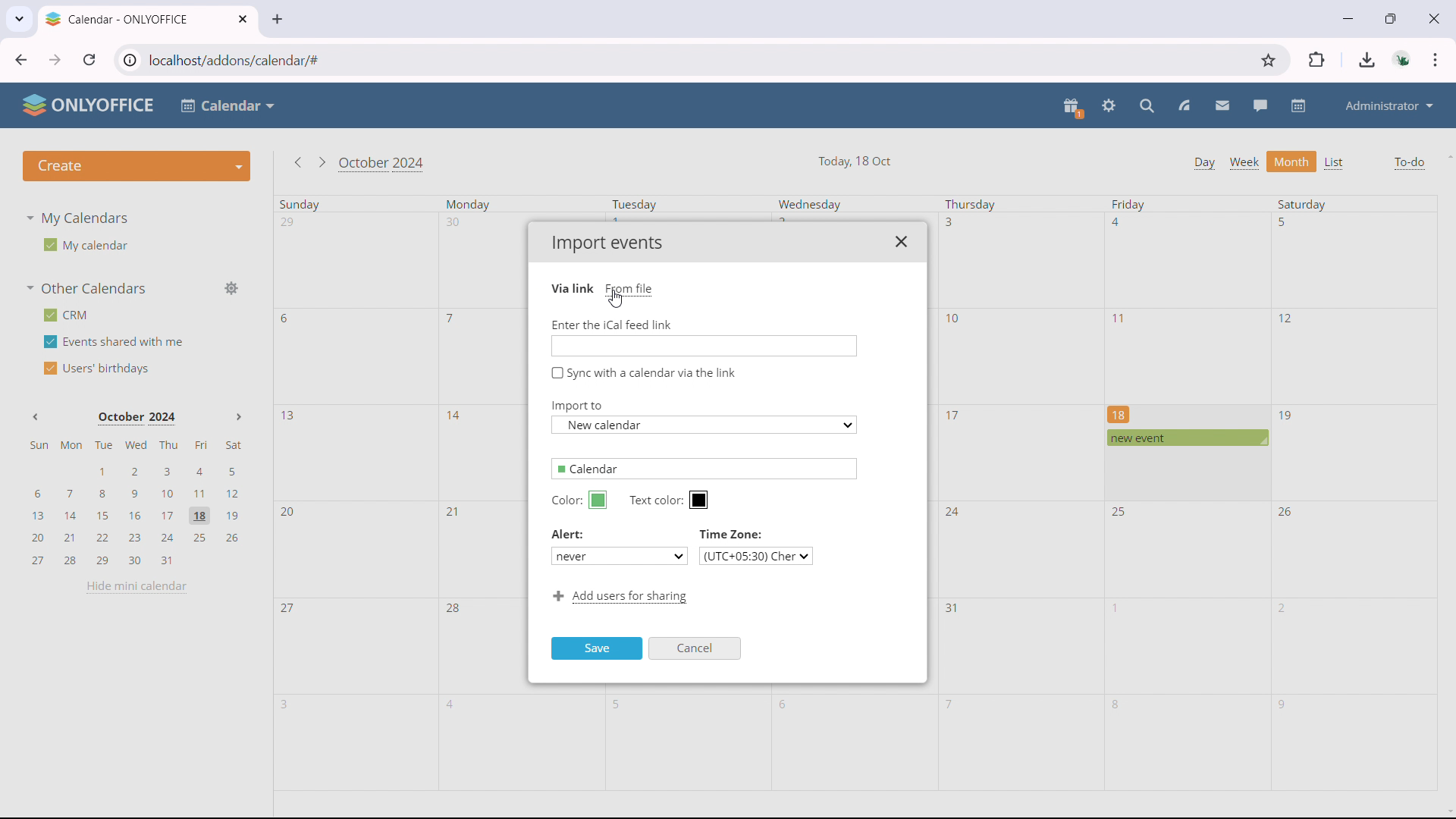 The width and height of the screenshot is (1456, 819). I want to click on Time Zone:, so click(731, 534).